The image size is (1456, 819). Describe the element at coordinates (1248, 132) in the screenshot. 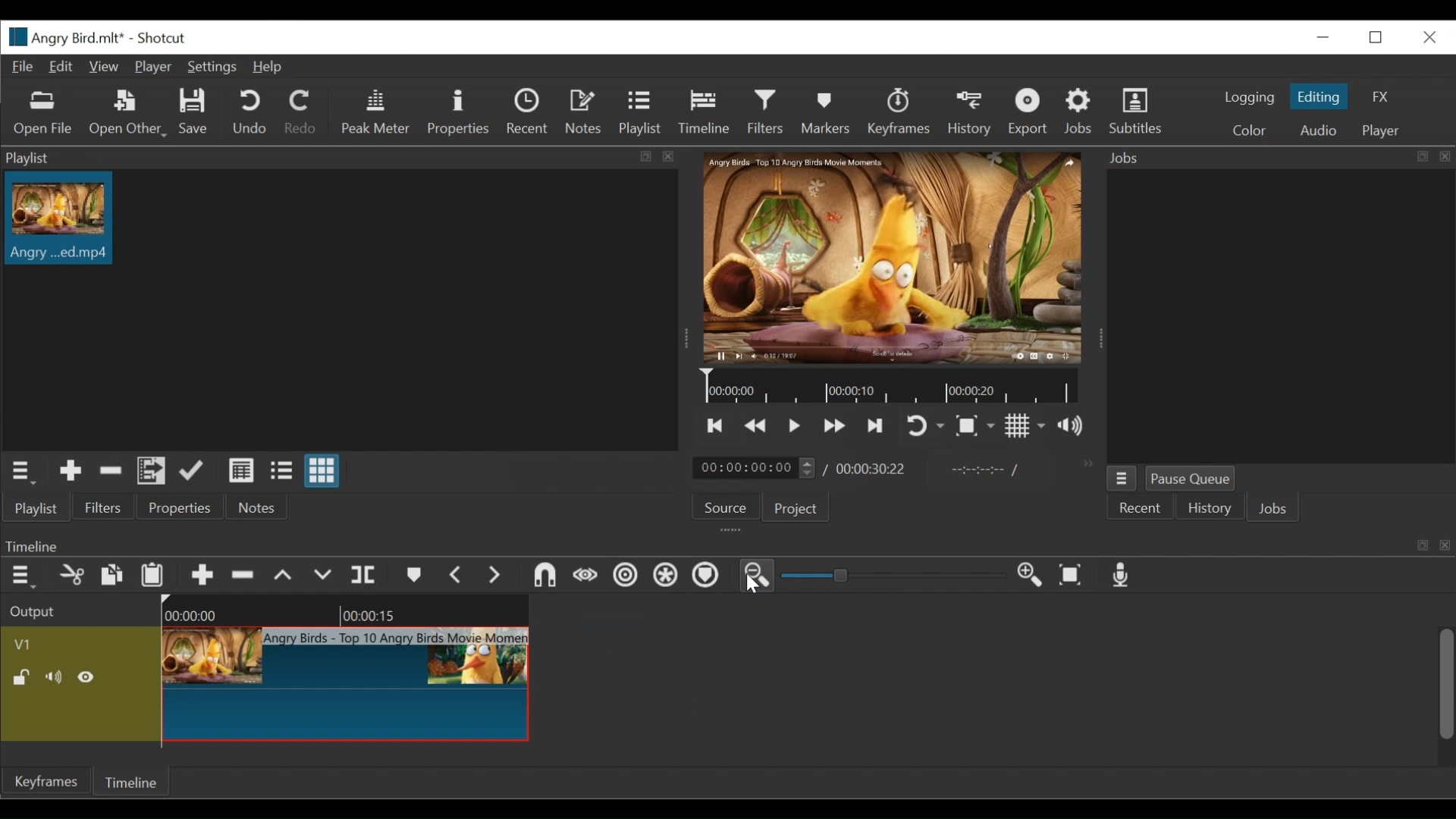

I see `Color` at that location.